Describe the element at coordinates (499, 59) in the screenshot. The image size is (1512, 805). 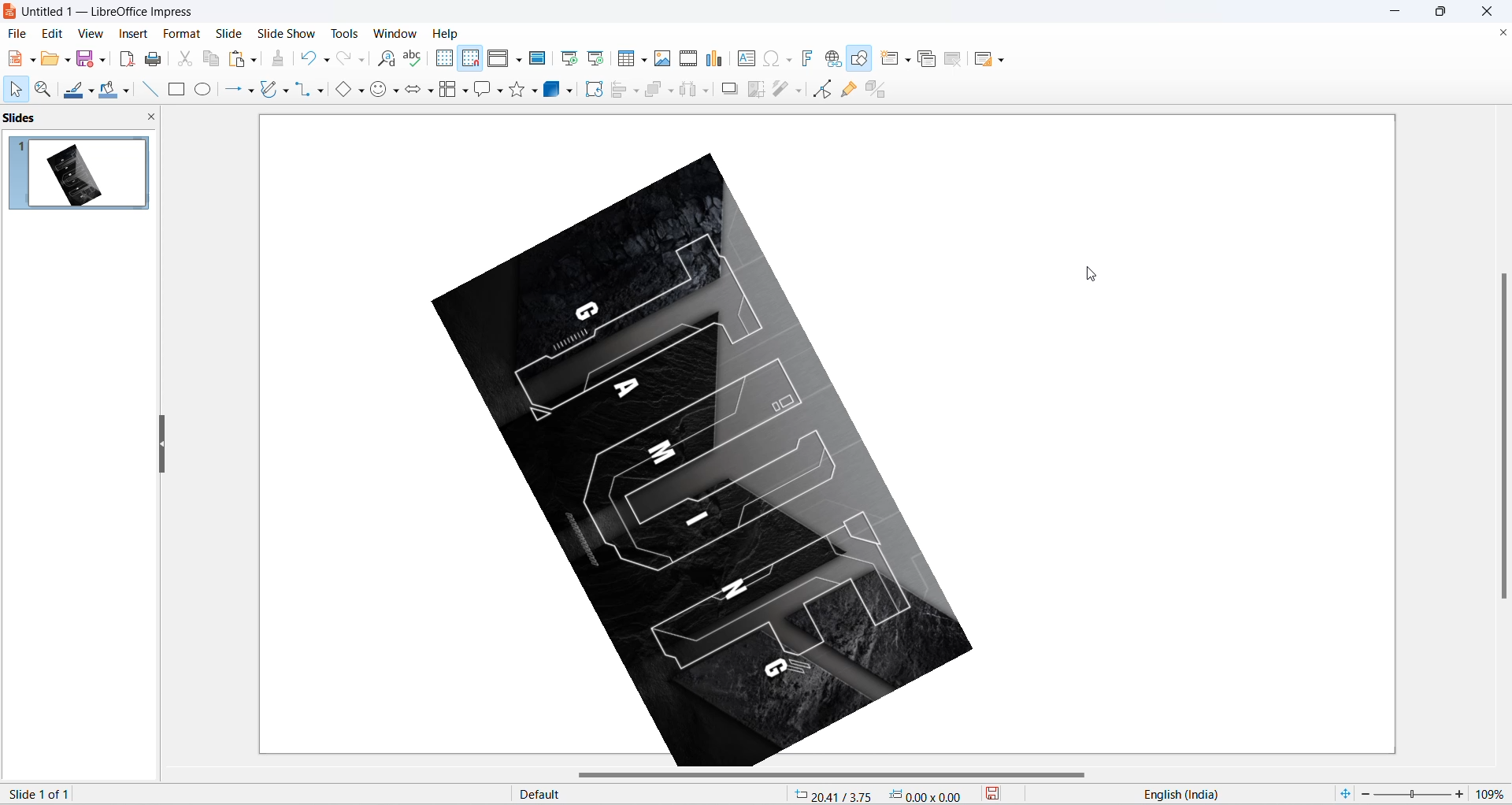
I see `display view` at that location.